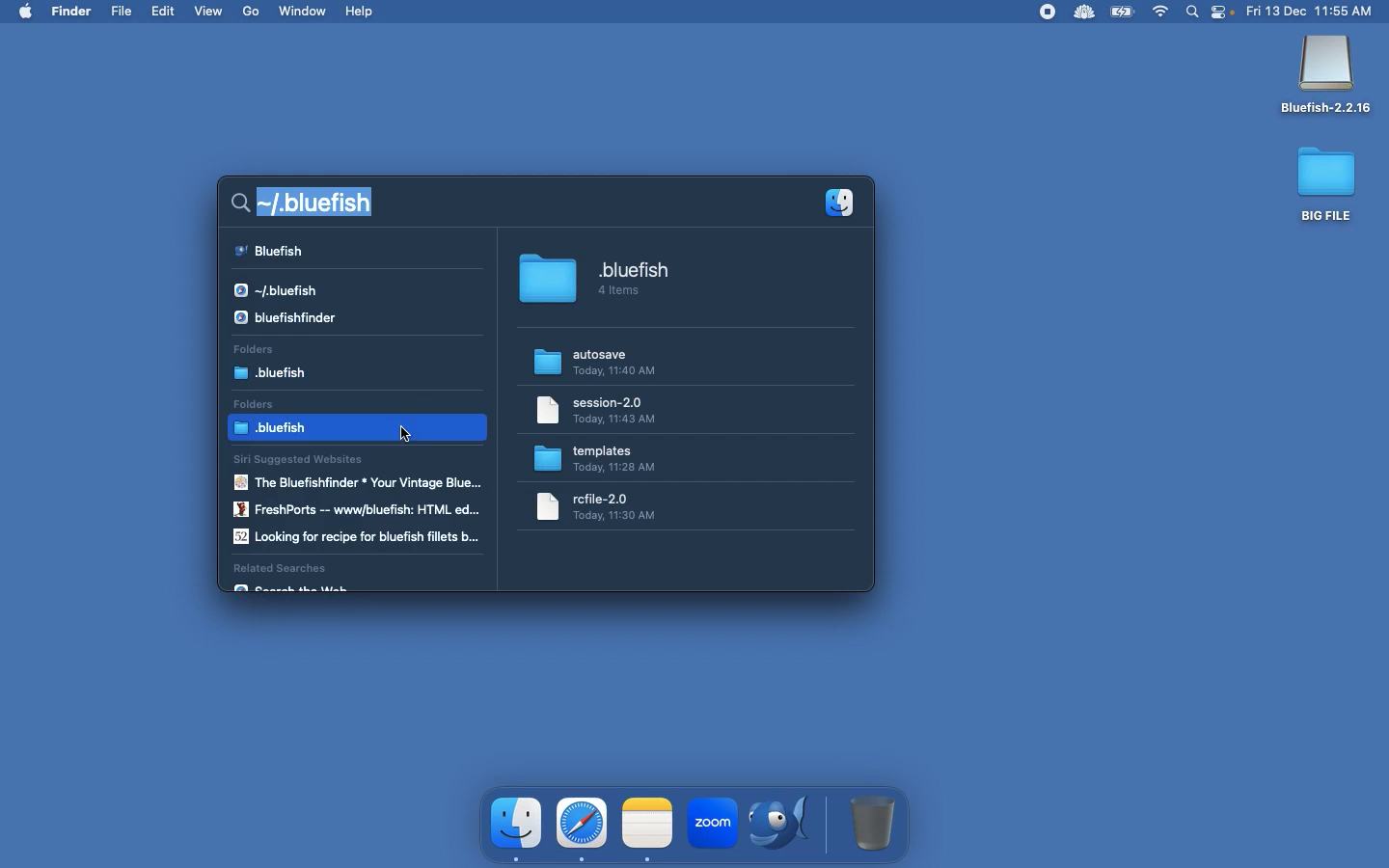  Describe the element at coordinates (1122, 14) in the screenshot. I see `Charge` at that location.